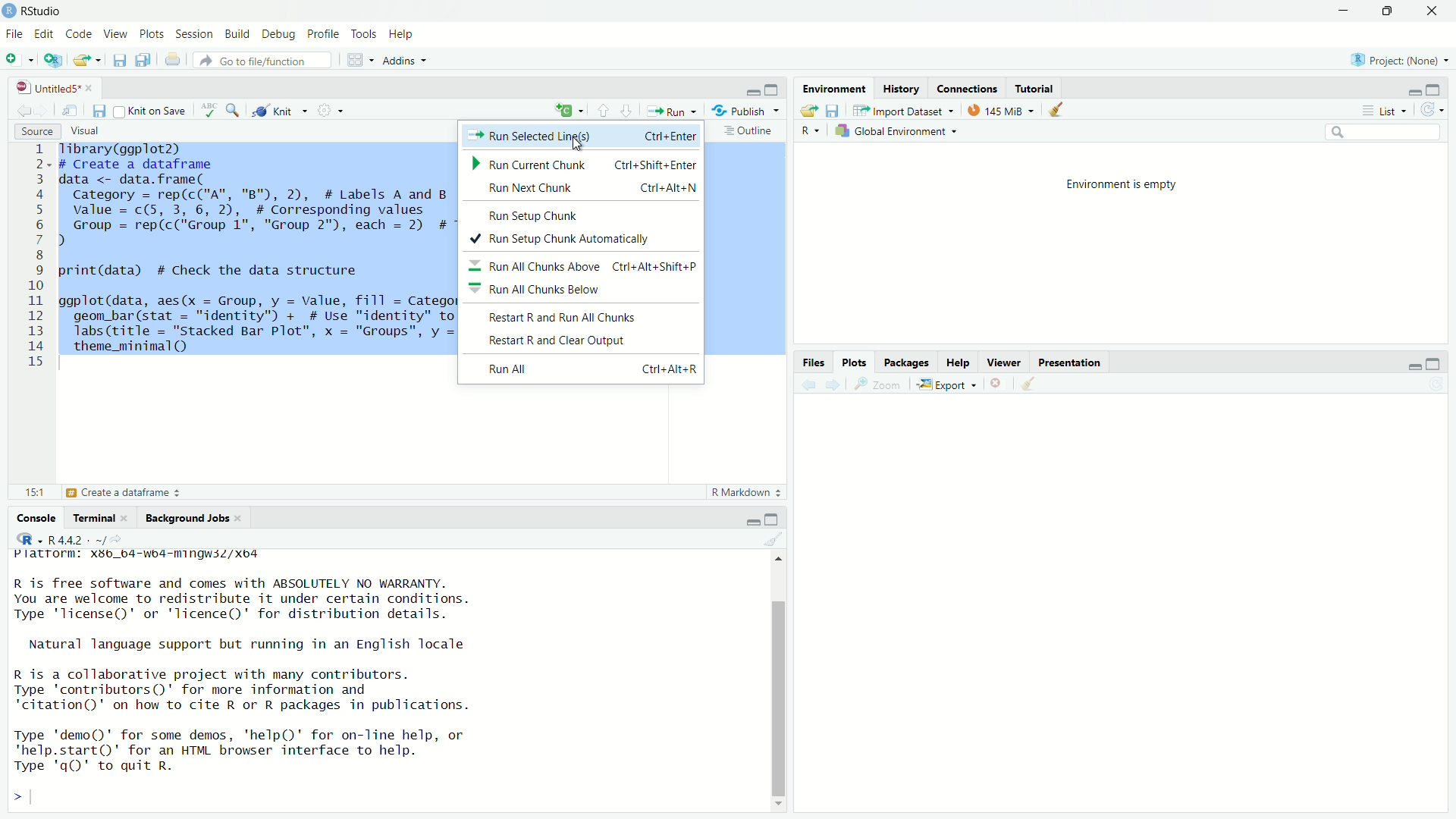 Image resolution: width=1456 pixels, height=819 pixels. What do you see at coordinates (834, 111) in the screenshot?
I see `Save workspace as` at bounding box center [834, 111].